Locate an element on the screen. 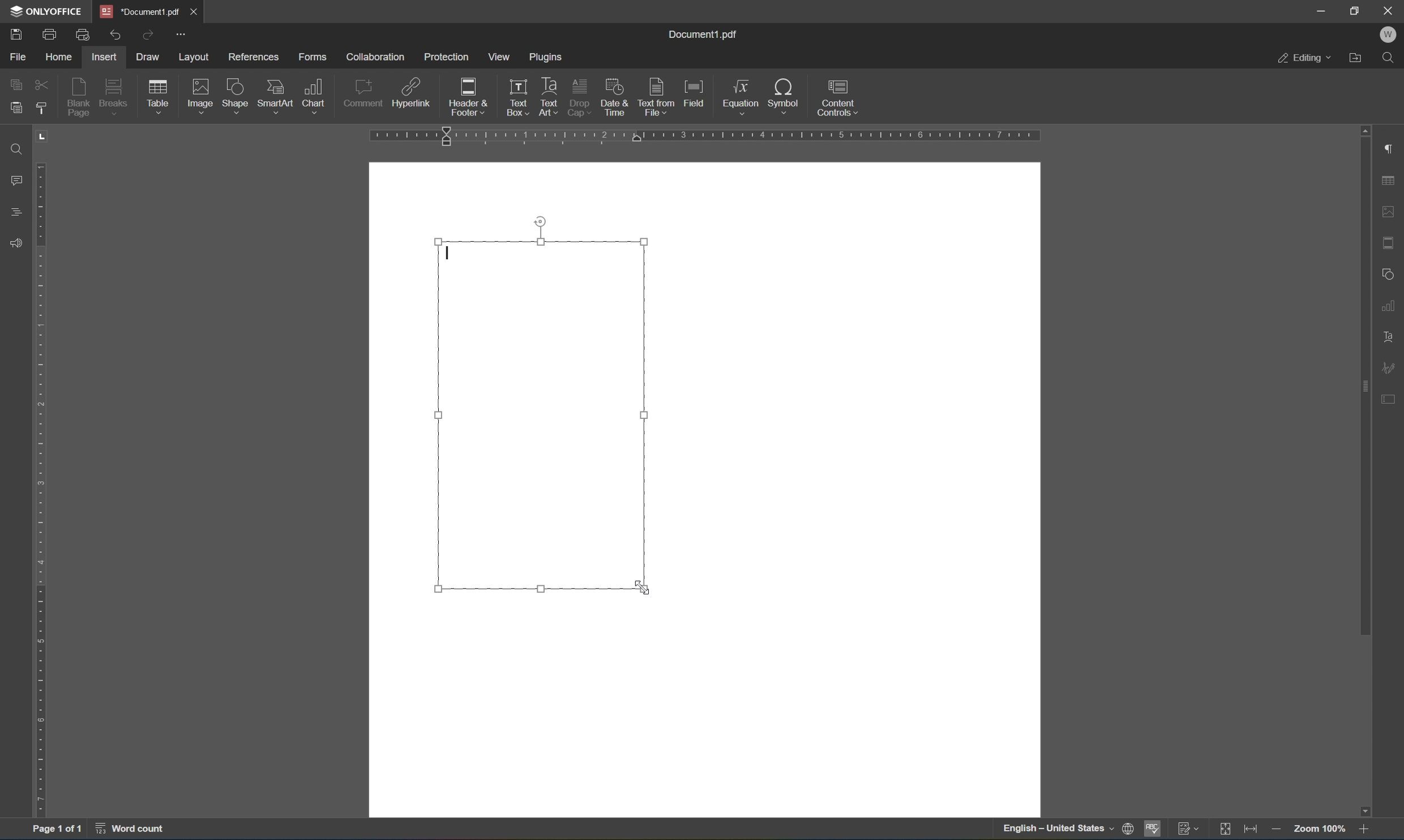 This screenshot has height=840, width=1404. zoom in is located at coordinates (1364, 830).